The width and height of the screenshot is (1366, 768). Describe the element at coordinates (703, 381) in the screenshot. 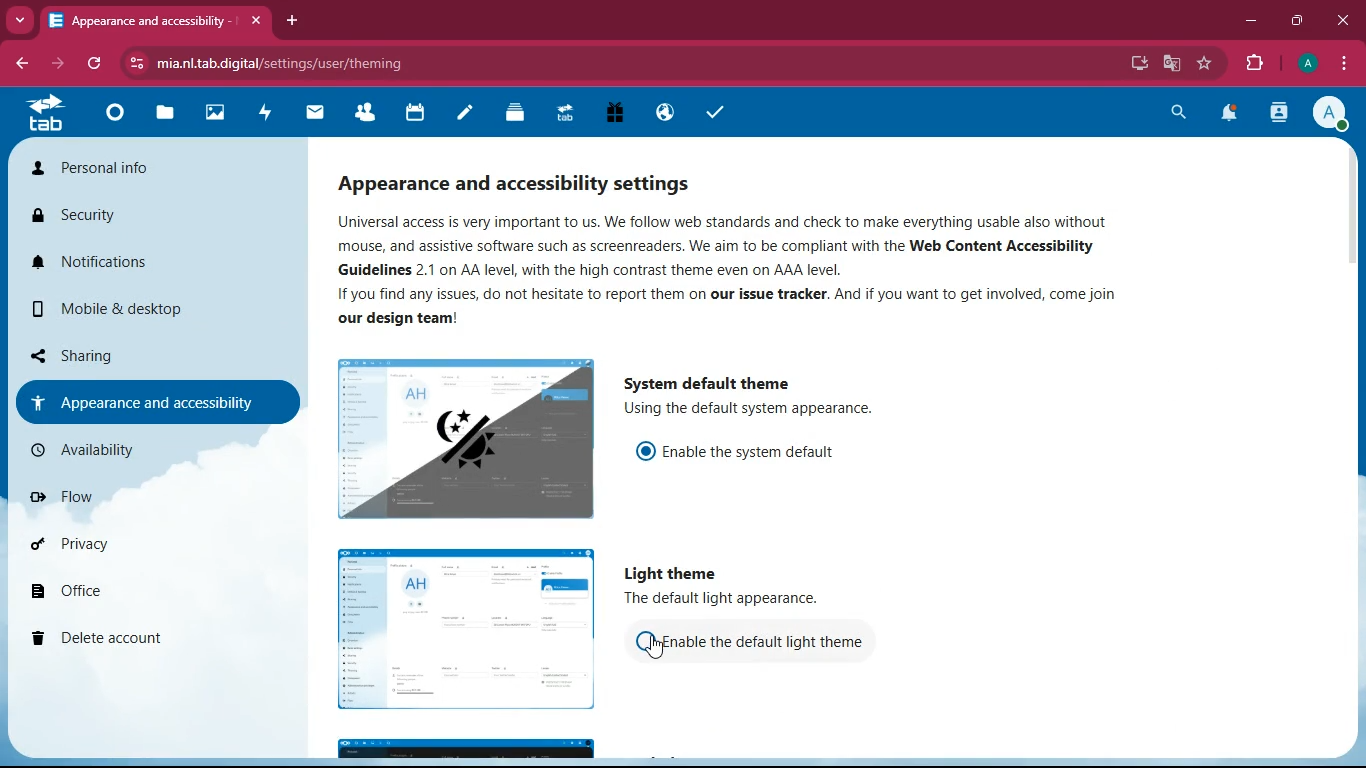

I see `system default` at that location.